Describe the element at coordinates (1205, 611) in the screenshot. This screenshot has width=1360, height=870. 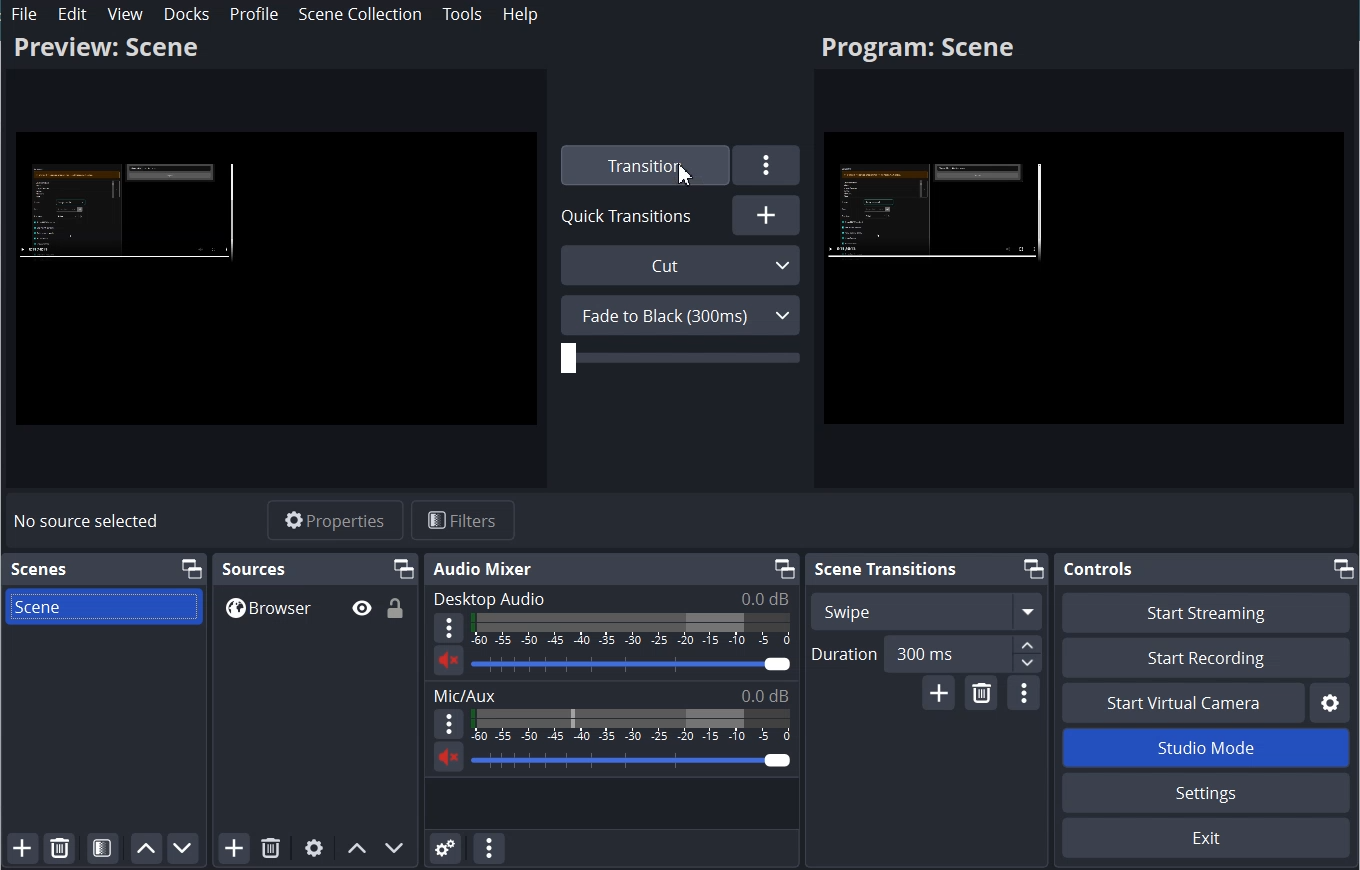
I see `Start Streaming` at that location.